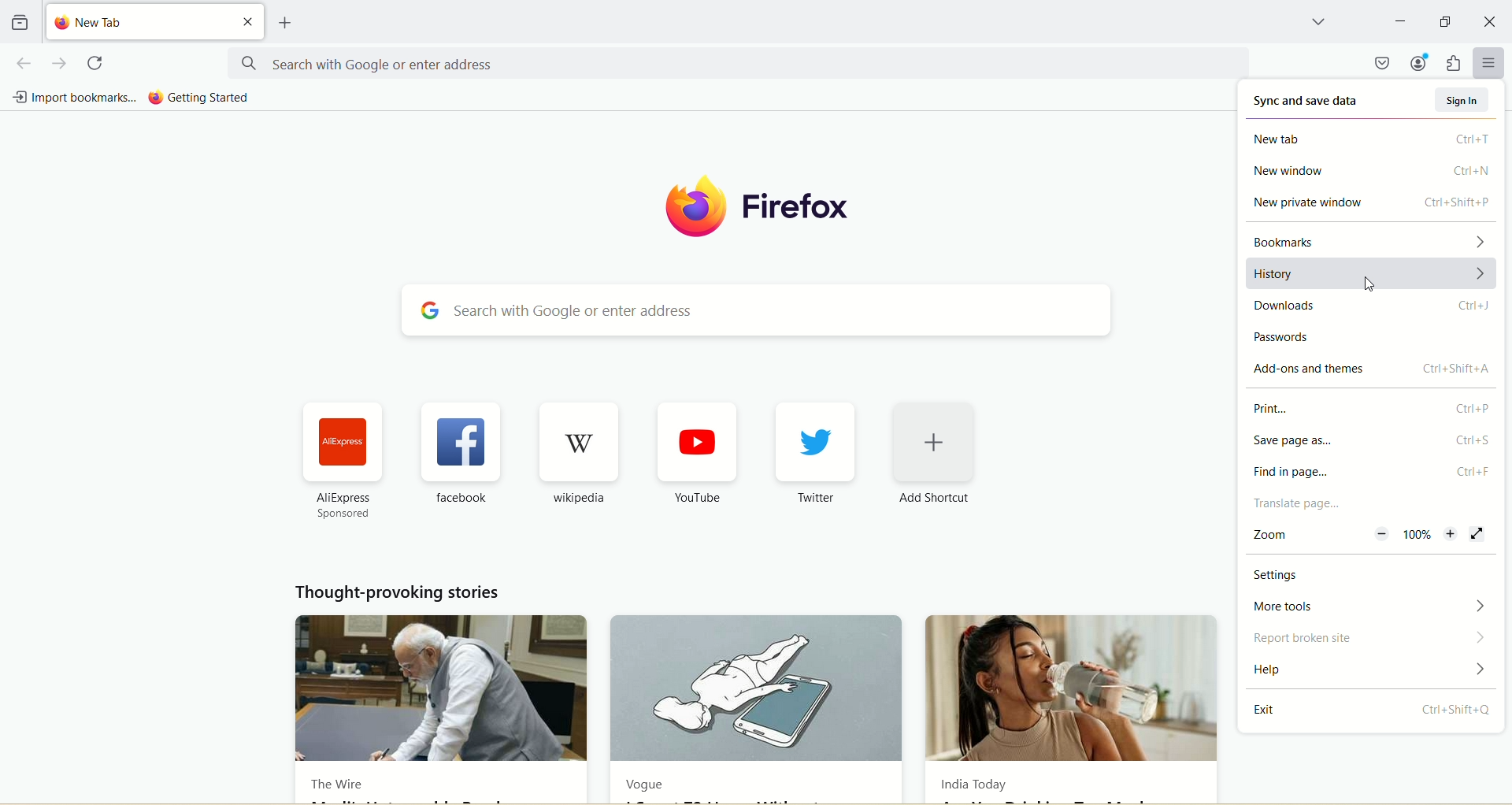 Image resolution: width=1512 pixels, height=805 pixels. What do you see at coordinates (1456, 62) in the screenshot?
I see `extensions` at bounding box center [1456, 62].